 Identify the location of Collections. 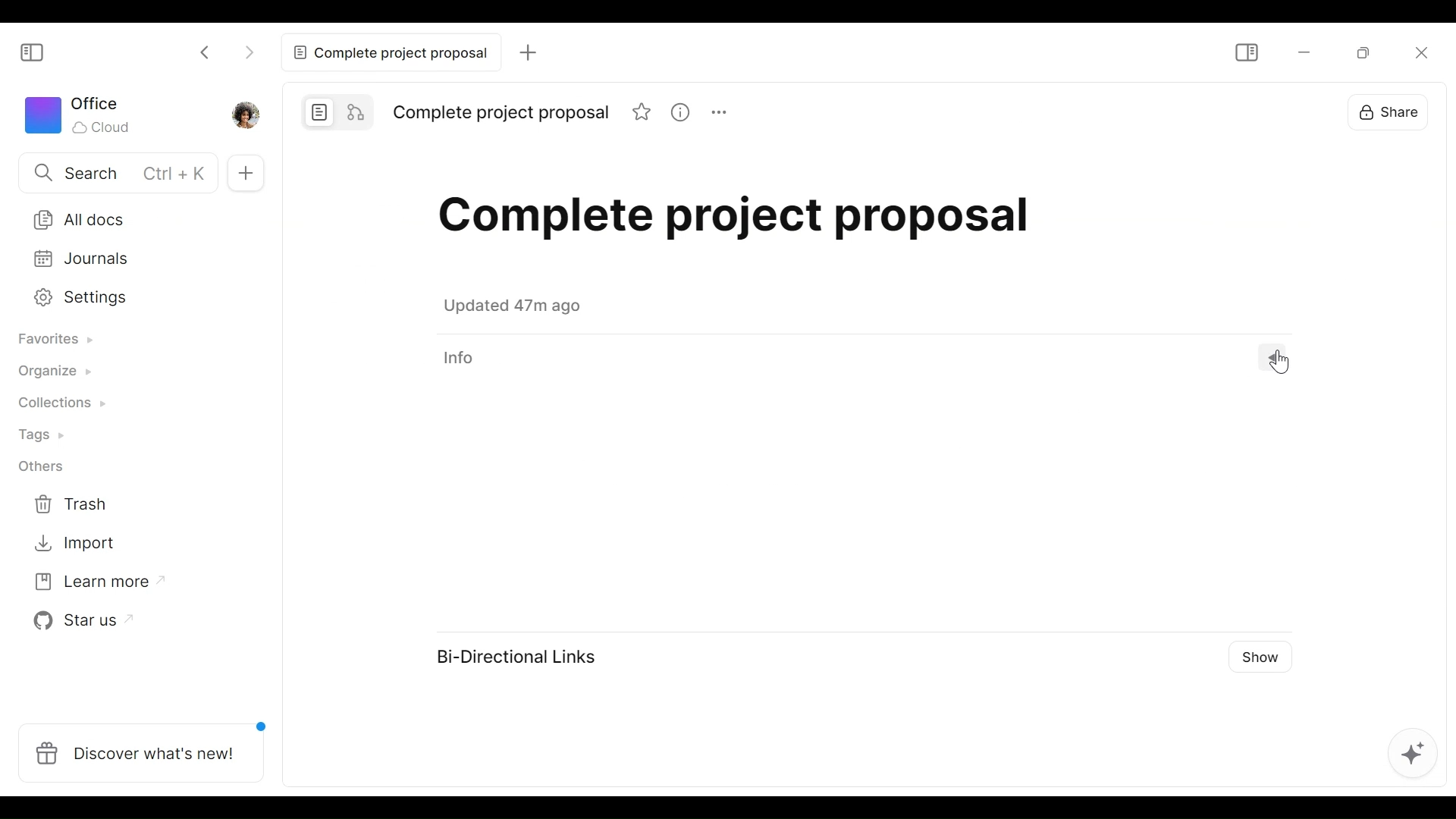
(64, 405).